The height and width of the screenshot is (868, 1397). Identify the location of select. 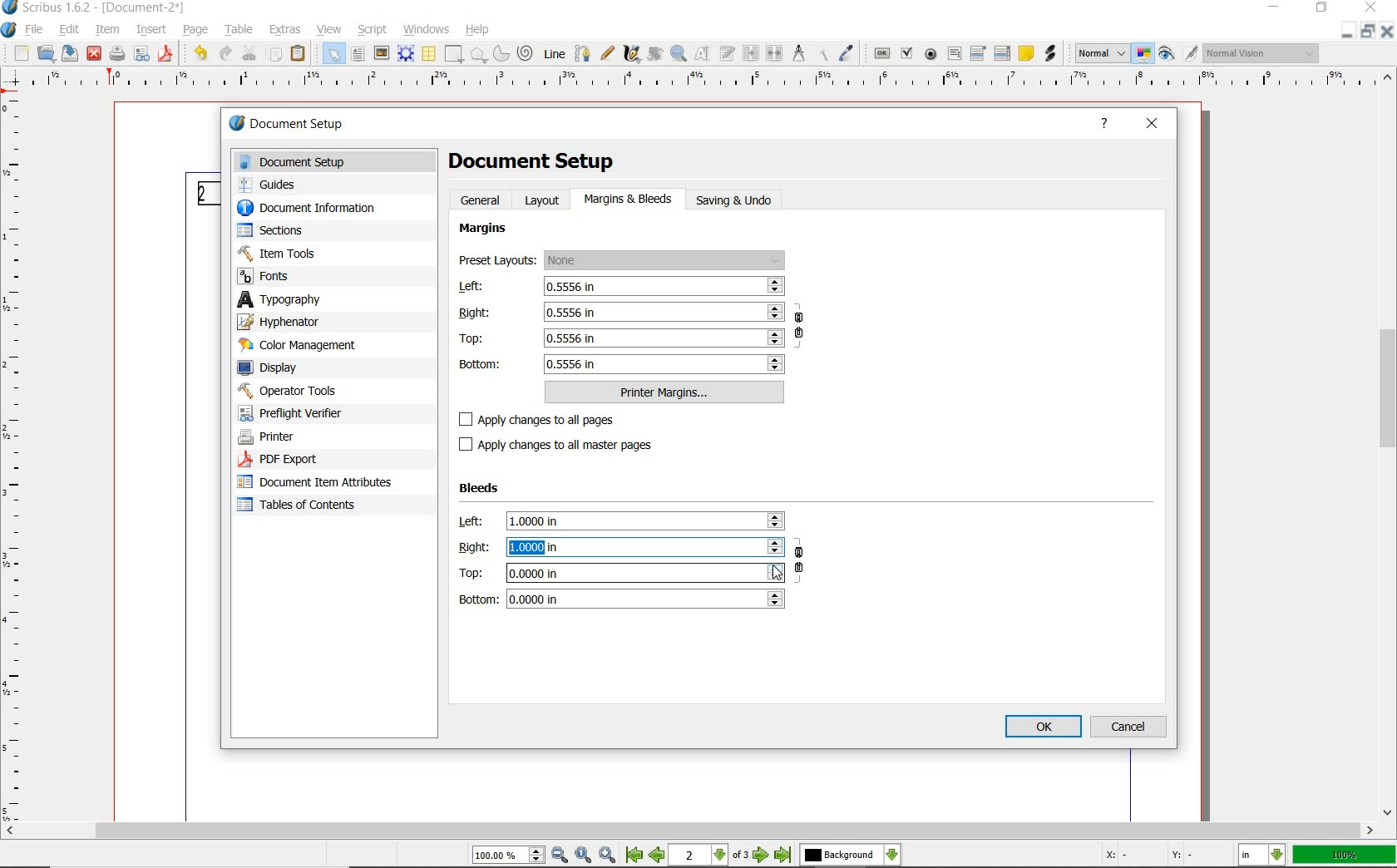
(334, 57).